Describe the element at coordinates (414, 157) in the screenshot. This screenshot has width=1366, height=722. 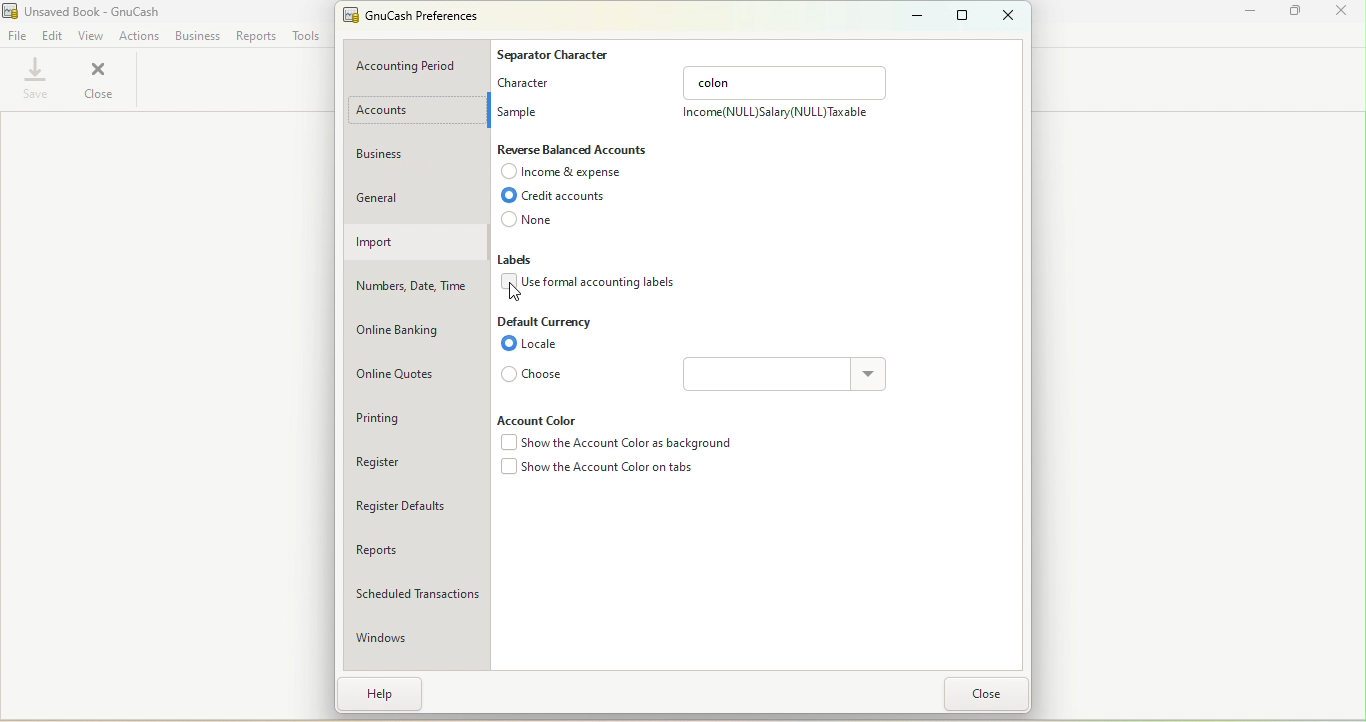
I see `Business` at that location.